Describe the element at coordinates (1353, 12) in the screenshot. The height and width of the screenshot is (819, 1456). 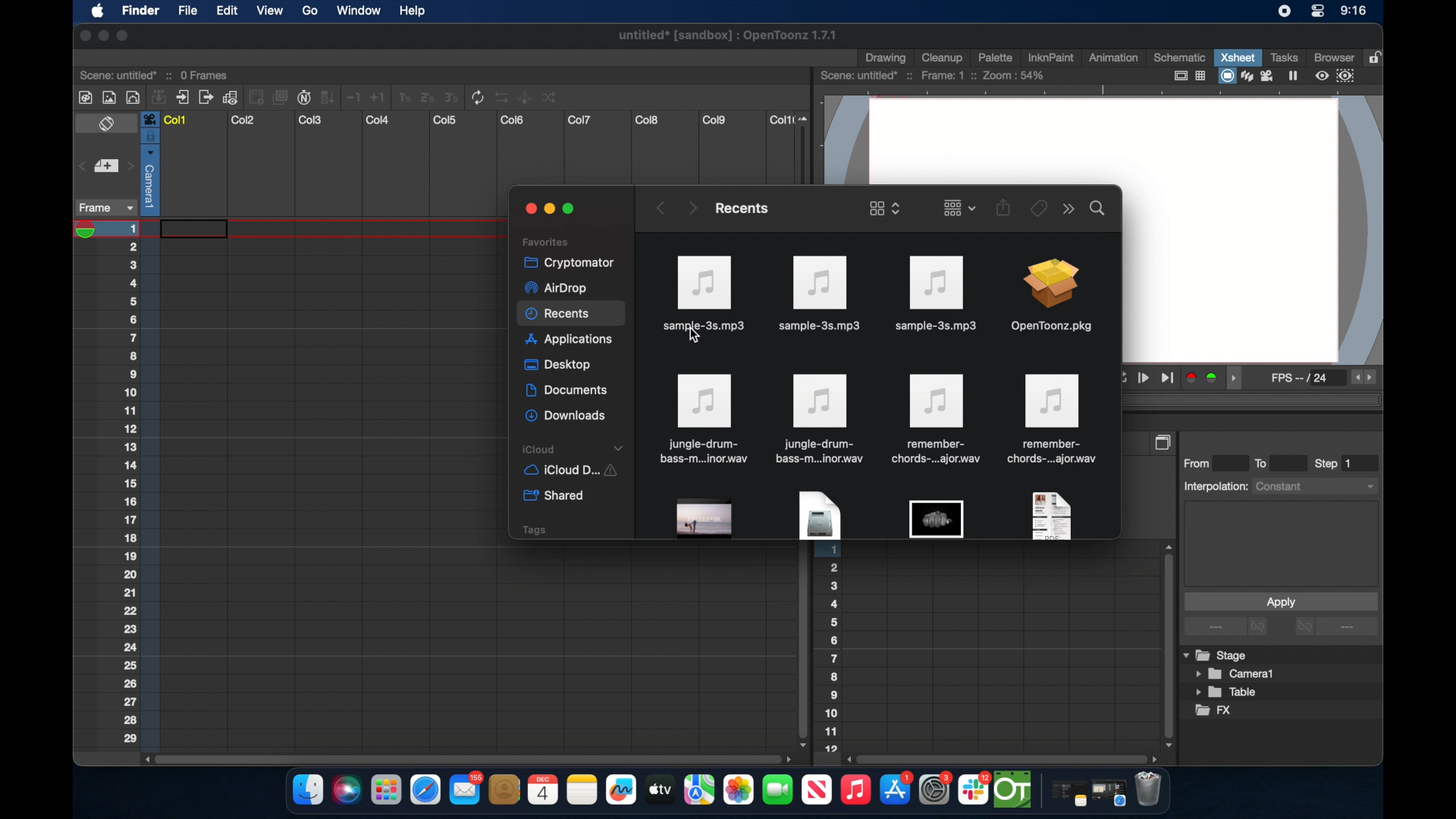
I see `time` at that location.